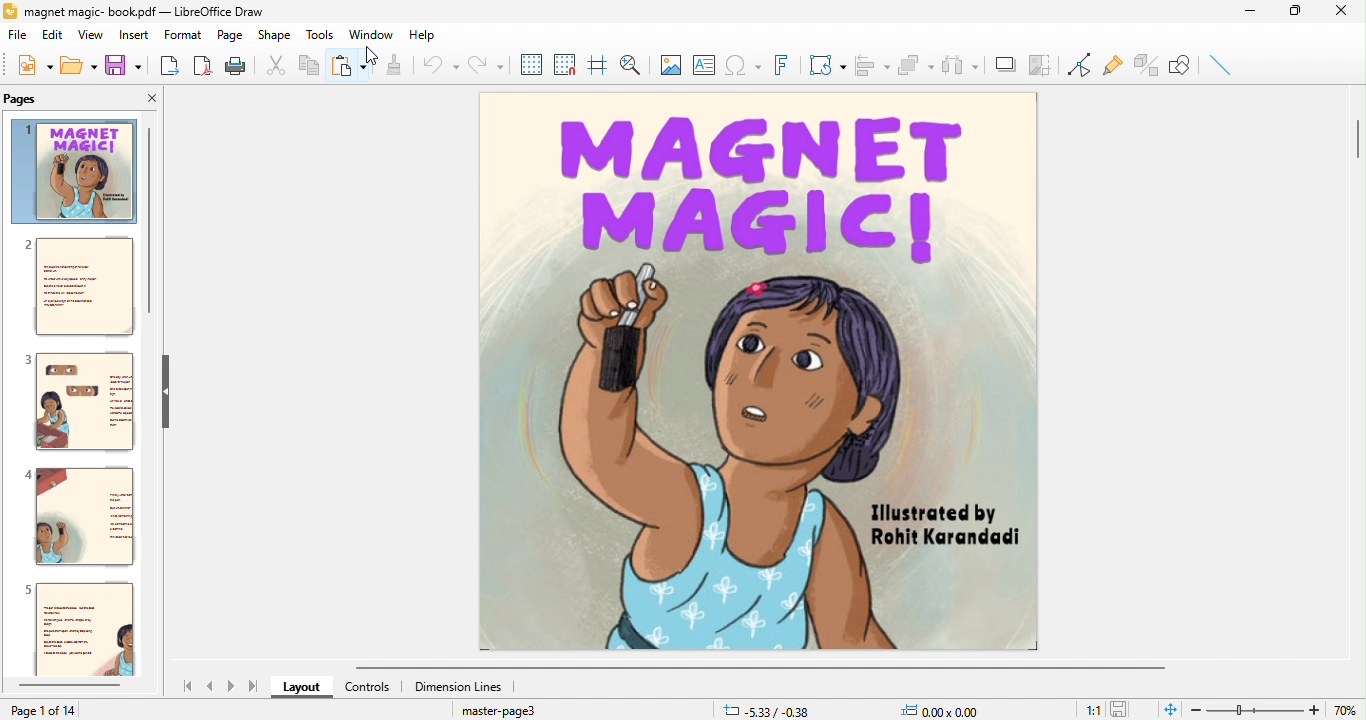 Image resolution: width=1366 pixels, height=720 pixels. Describe the element at coordinates (231, 687) in the screenshot. I see `next page` at that location.